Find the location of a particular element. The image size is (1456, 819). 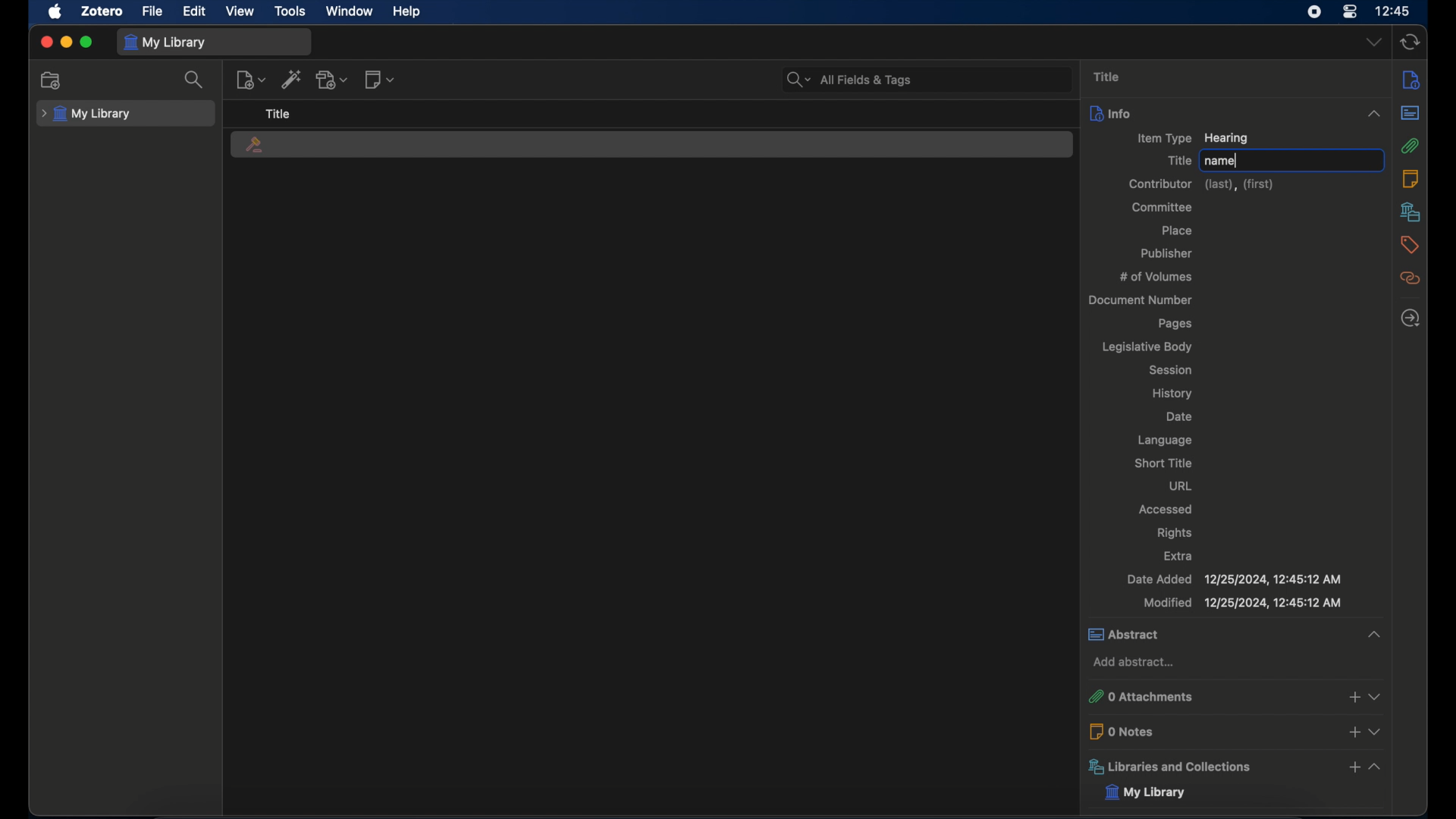

time is located at coordinates (1393, 10).